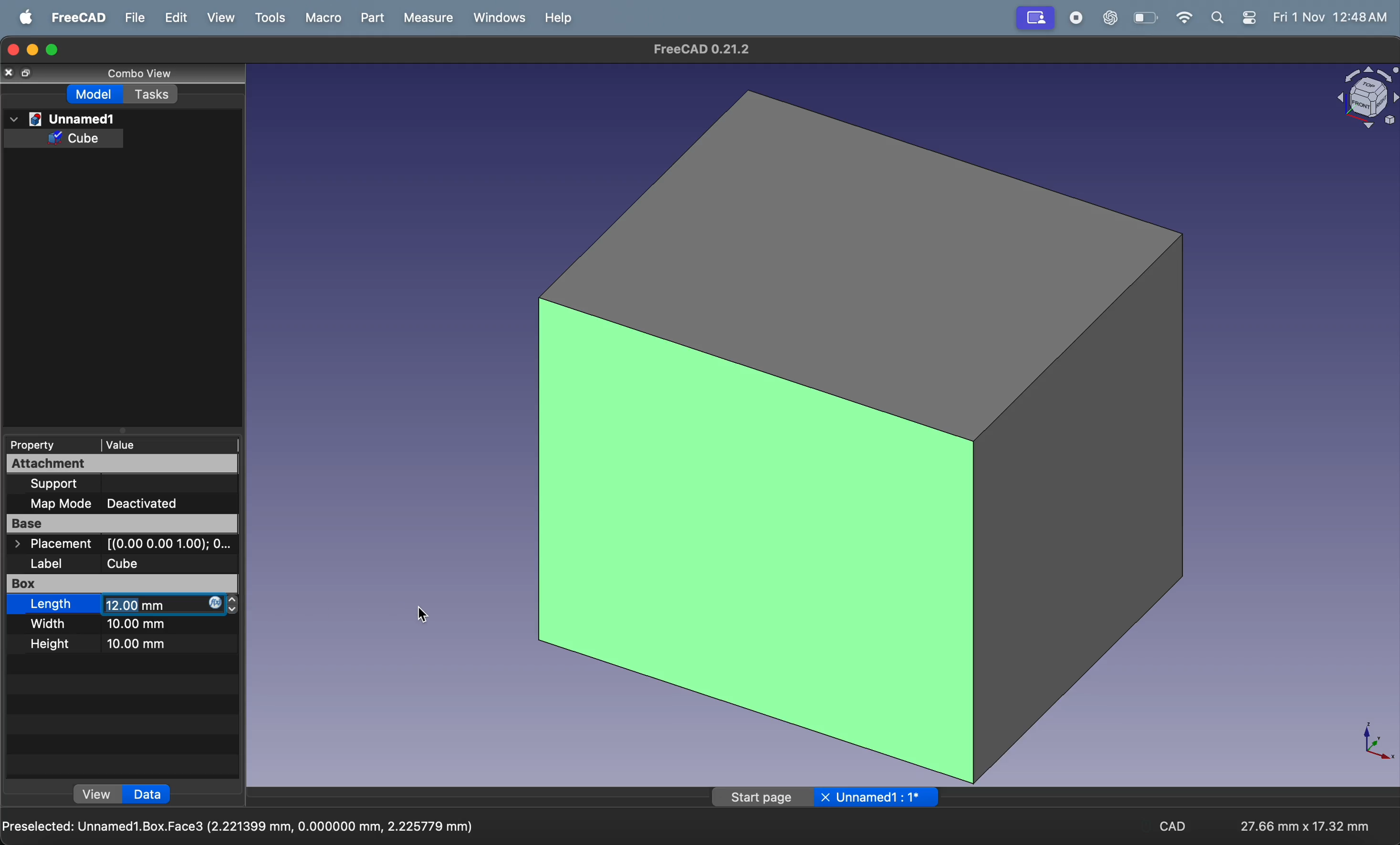  Describe the element at coordinates (240, 826) in the screenshot. I see `Preselected: Unnamed1.Box.Face3 (2.221399 mm, 0.000000 mm, 2.225779 mm)` at that location.